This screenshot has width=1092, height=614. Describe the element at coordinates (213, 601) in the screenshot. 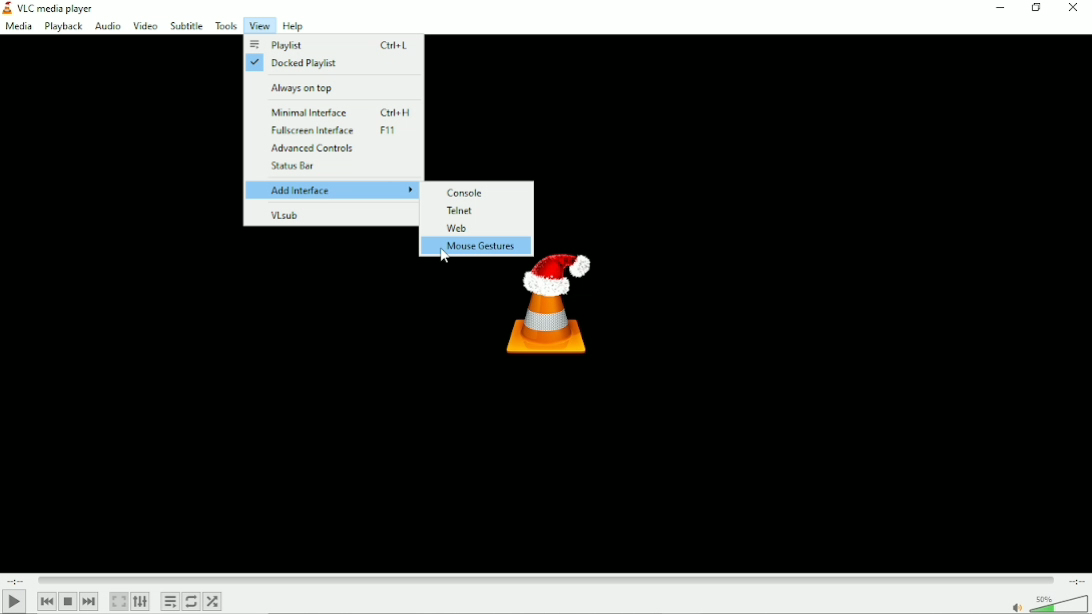

I see `Random` at that location.